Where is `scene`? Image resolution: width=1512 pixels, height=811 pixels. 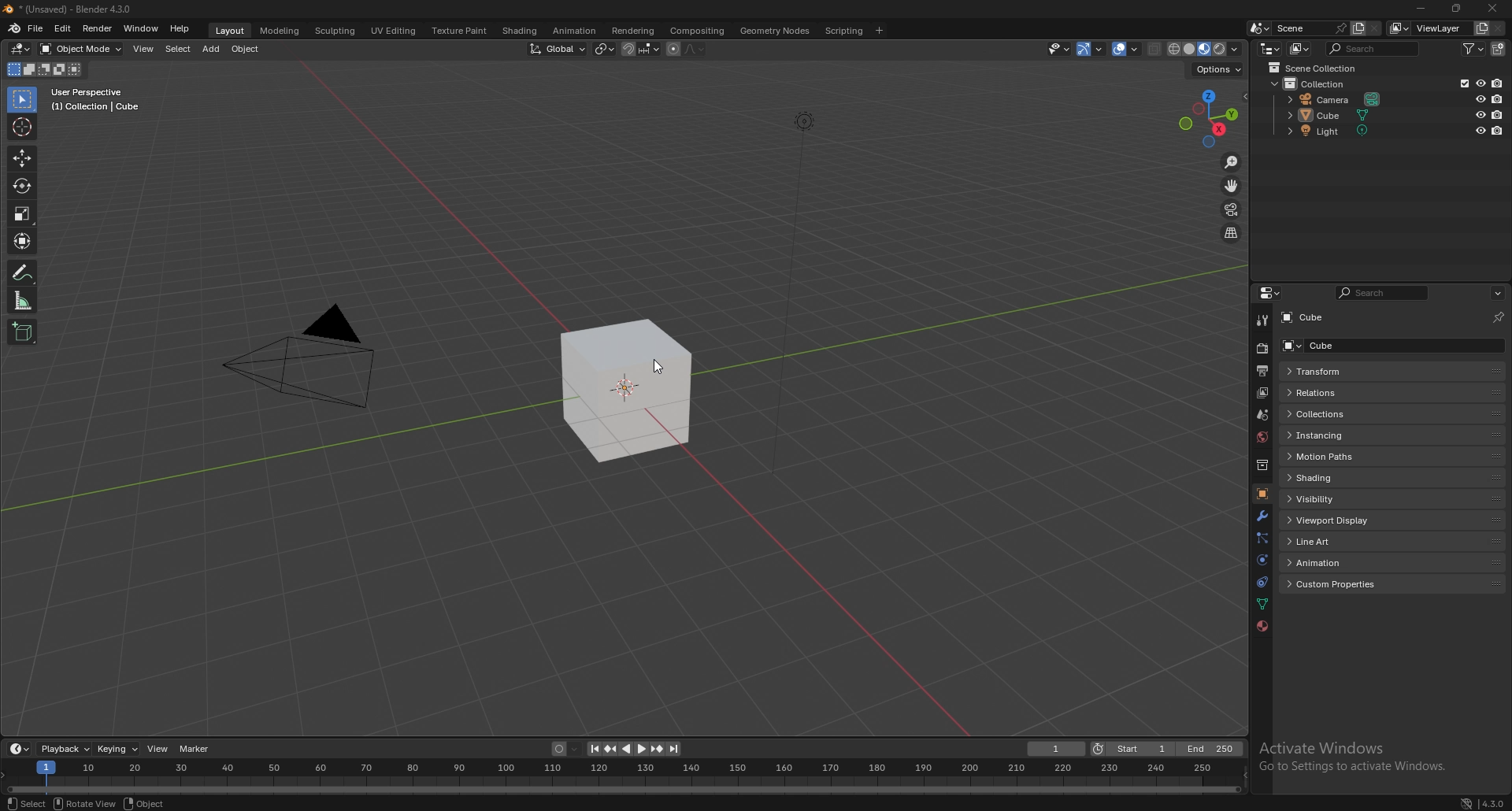 scene is located at coordinates (1262, 415).